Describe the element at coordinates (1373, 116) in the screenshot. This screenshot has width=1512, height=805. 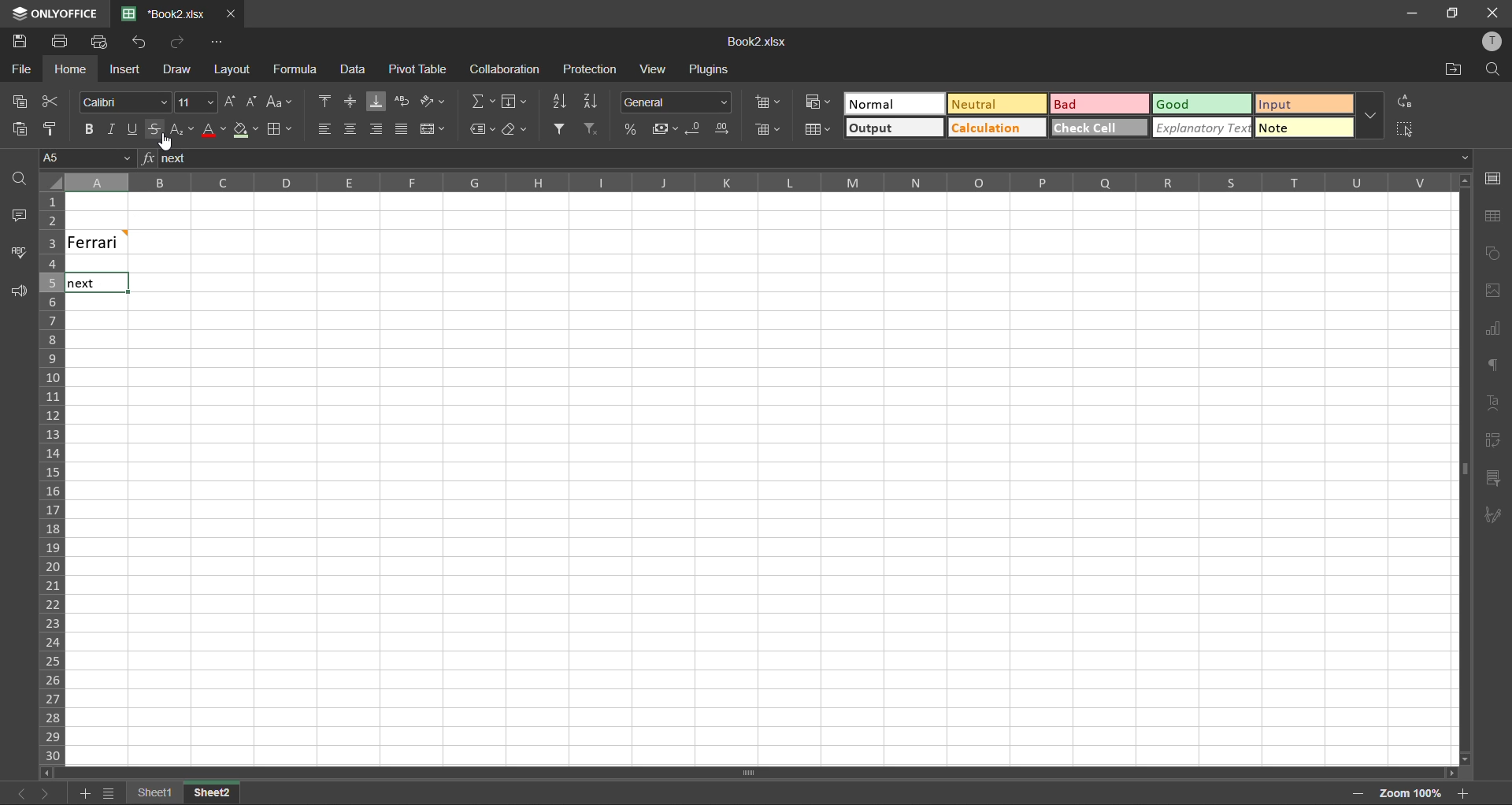
I see `more options` at that location.